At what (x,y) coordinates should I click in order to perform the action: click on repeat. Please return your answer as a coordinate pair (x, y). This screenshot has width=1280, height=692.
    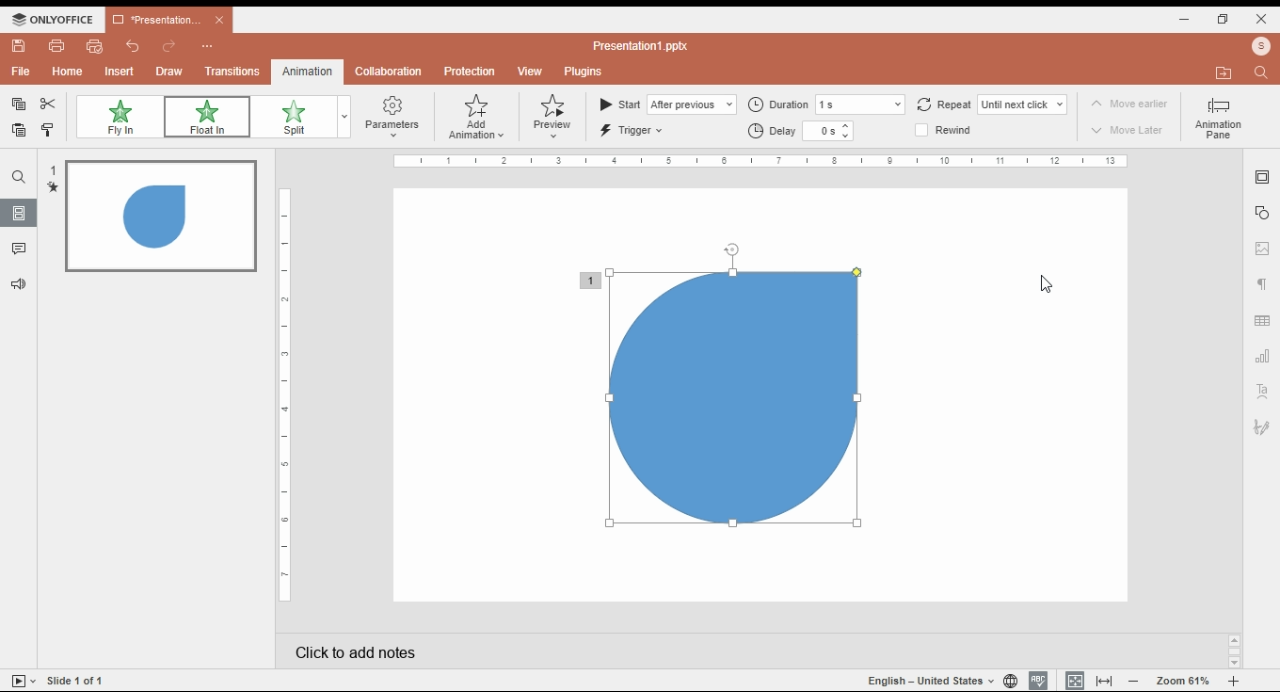
    Looking at the image, I should click on (989, 103).